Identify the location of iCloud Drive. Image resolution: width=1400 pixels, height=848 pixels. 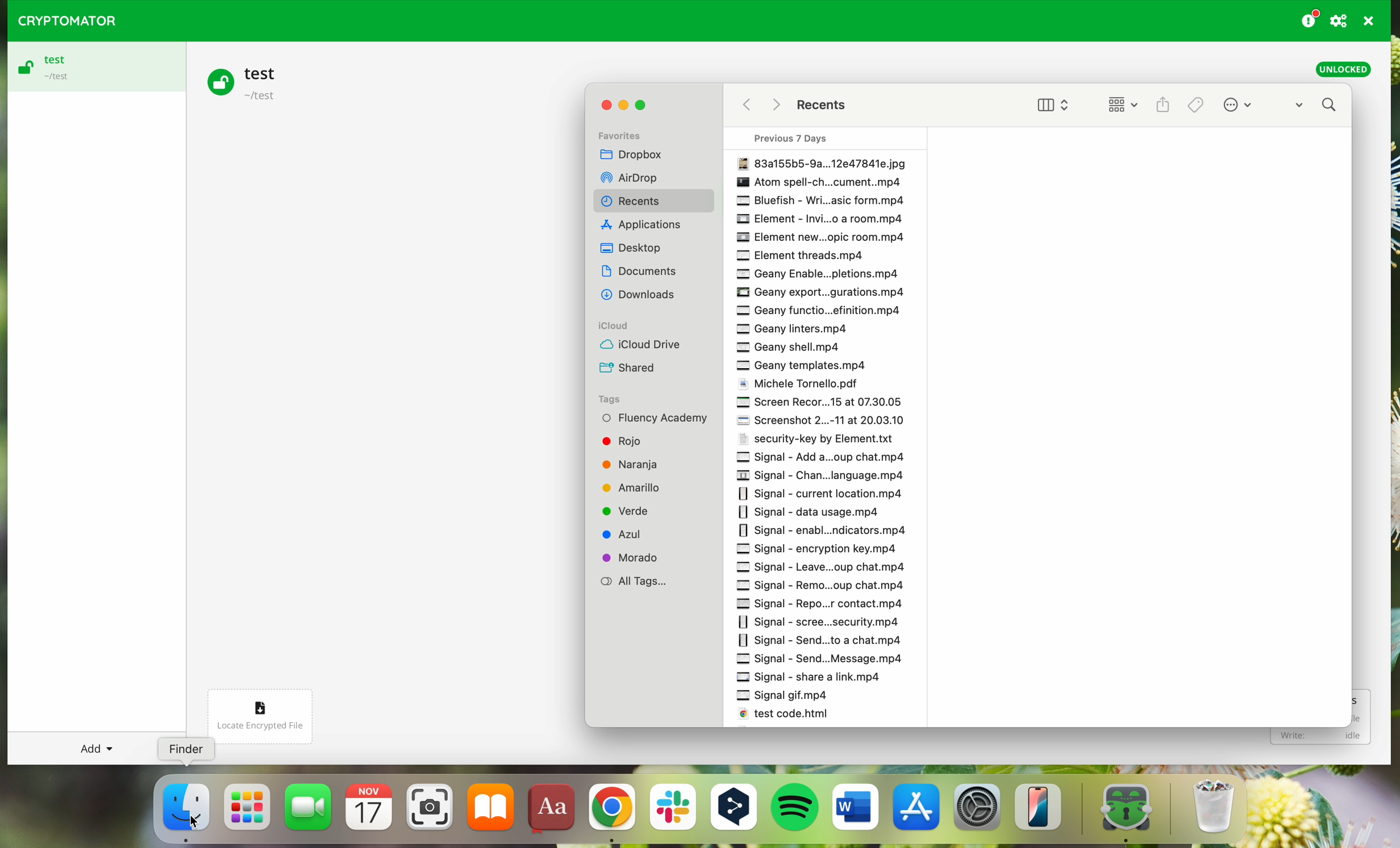
(640, 345).